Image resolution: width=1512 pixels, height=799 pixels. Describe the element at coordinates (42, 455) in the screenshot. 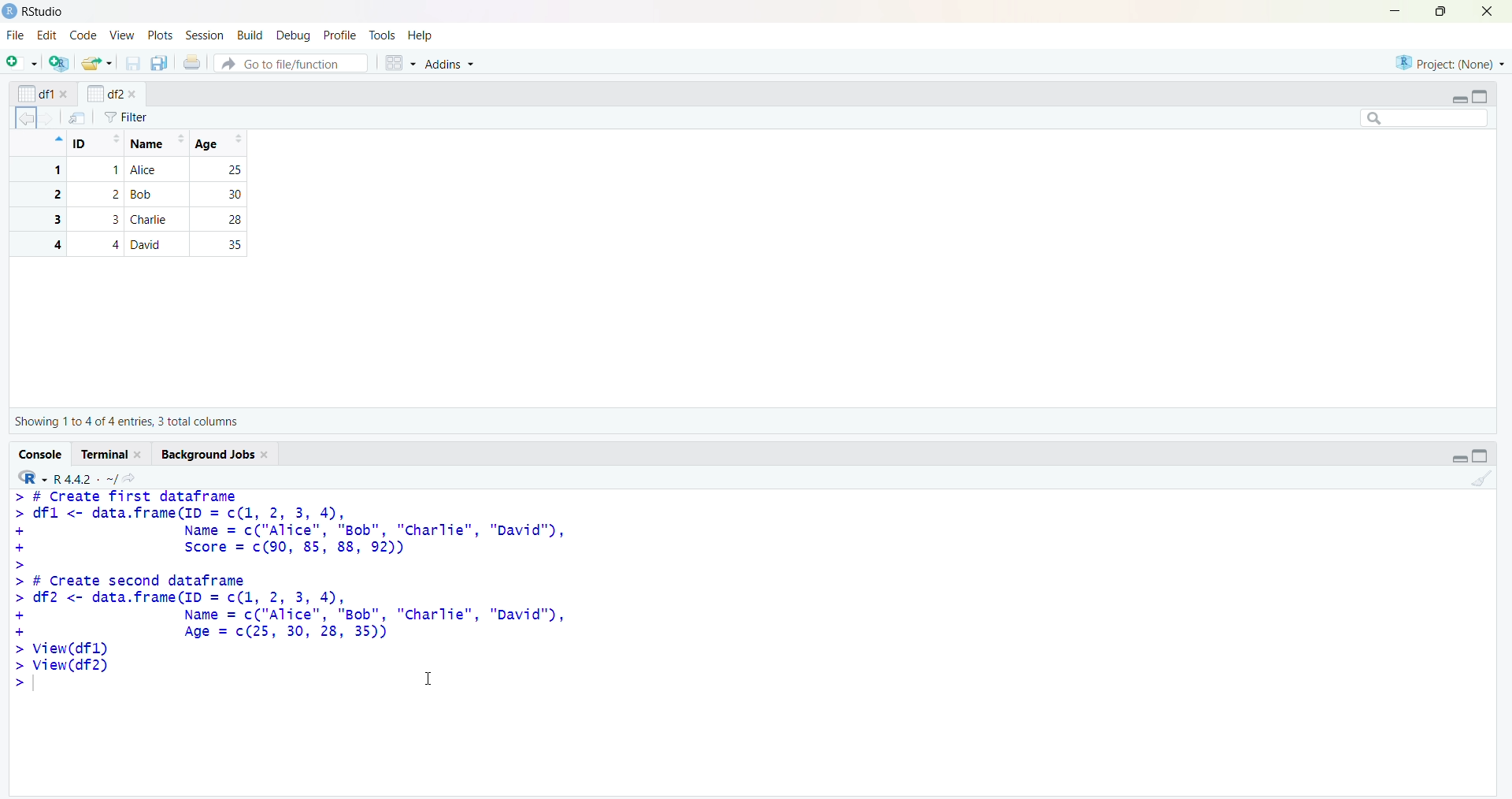

I see `Console` at that location.